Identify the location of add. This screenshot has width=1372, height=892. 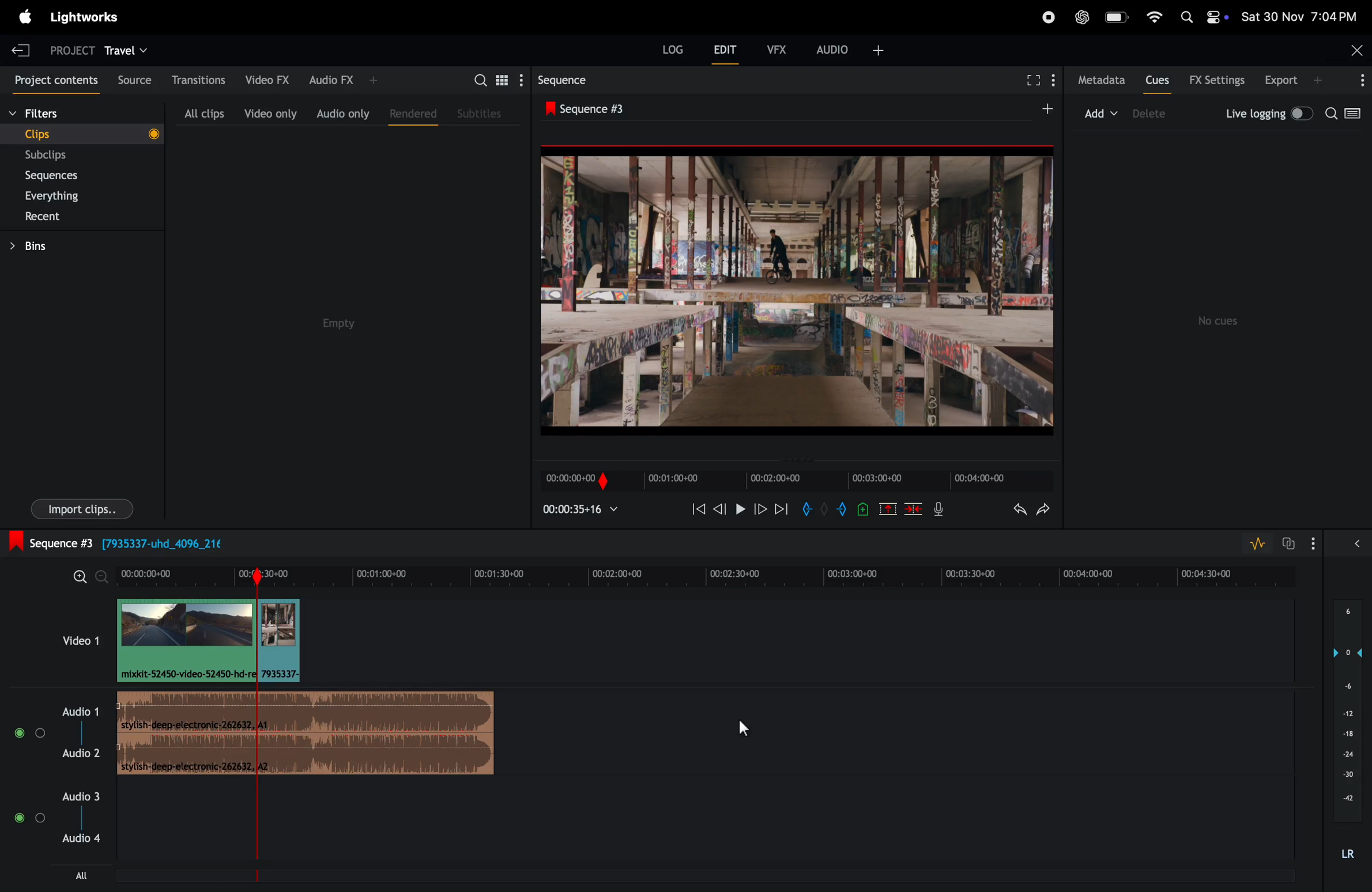
(1041, 109).